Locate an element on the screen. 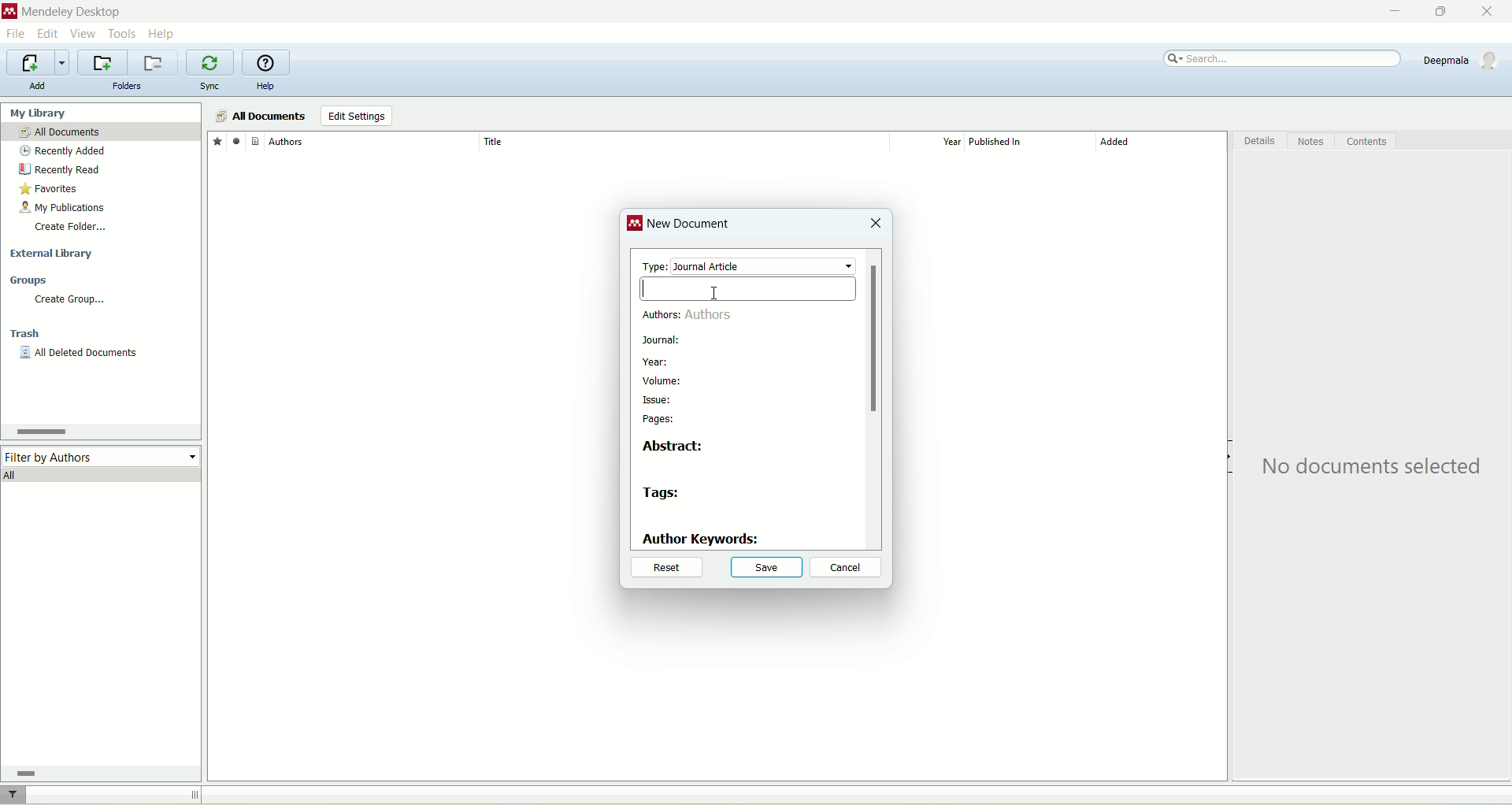  horizontal scroll bar is located at coordinates (98, 773).